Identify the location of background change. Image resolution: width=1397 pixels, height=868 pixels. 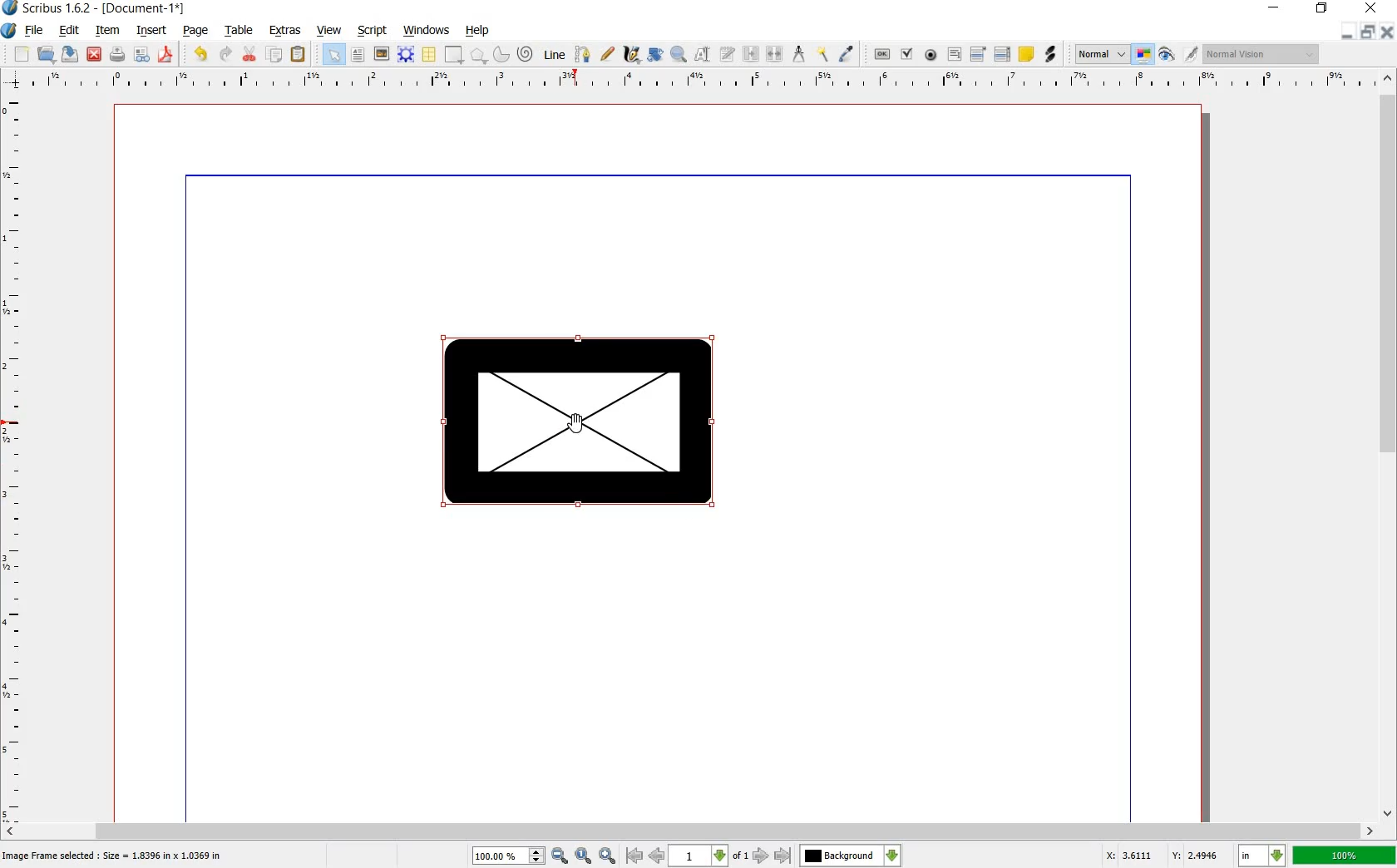
(850, 856).